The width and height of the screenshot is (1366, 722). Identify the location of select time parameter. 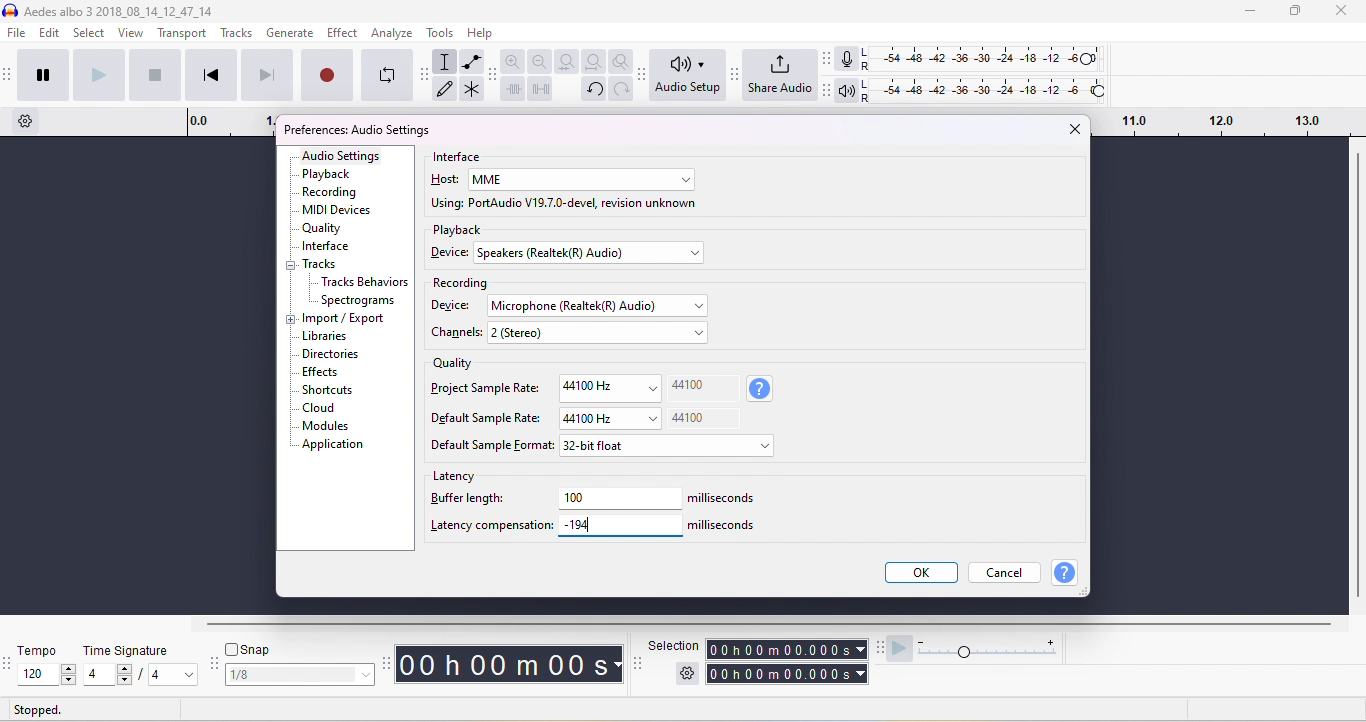
(860, 649).